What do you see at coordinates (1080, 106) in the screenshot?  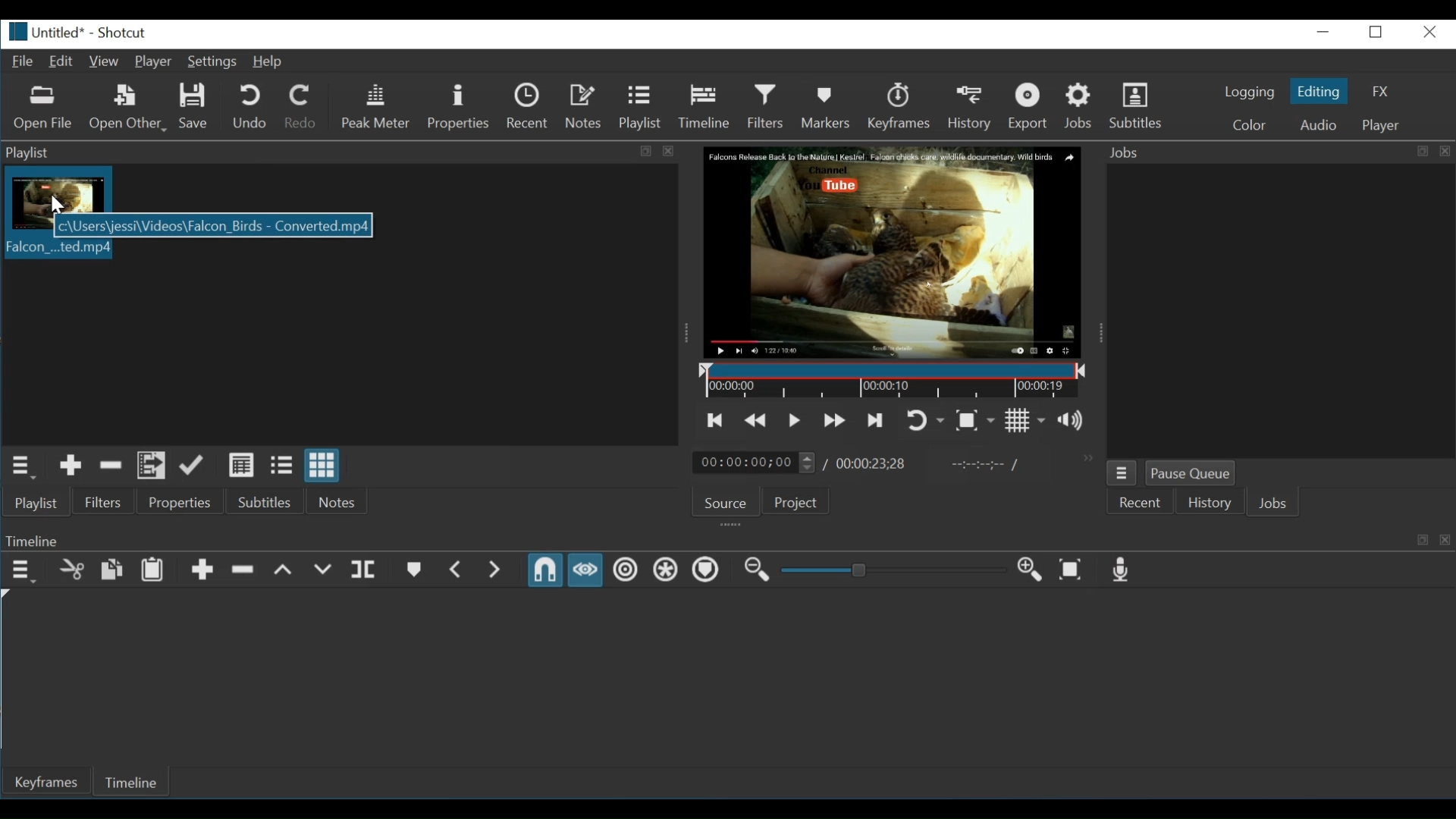 I see `Jobs` at bounding box center [1080, 106].